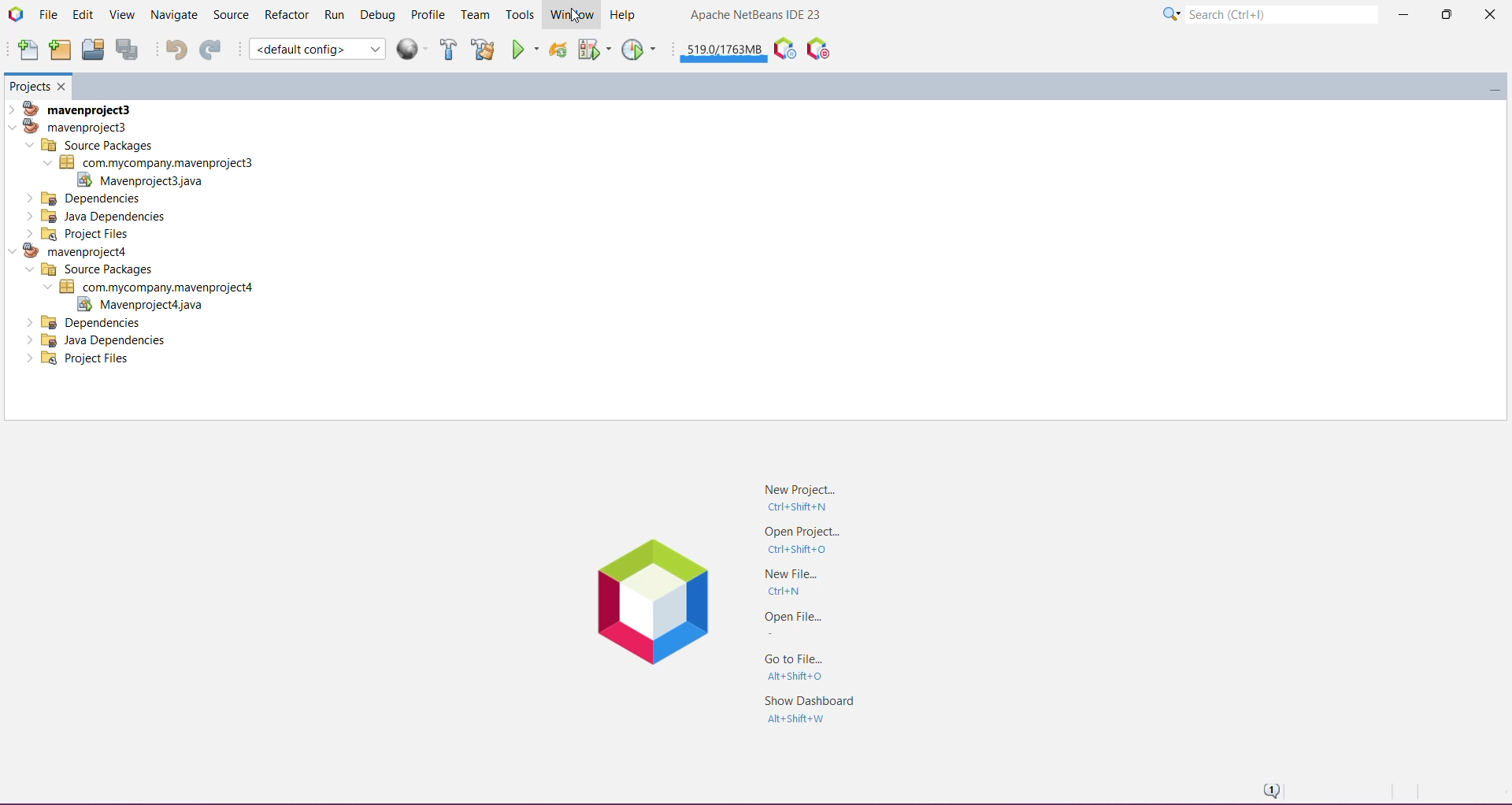  I want to click on Project Files, so click(81, 360).